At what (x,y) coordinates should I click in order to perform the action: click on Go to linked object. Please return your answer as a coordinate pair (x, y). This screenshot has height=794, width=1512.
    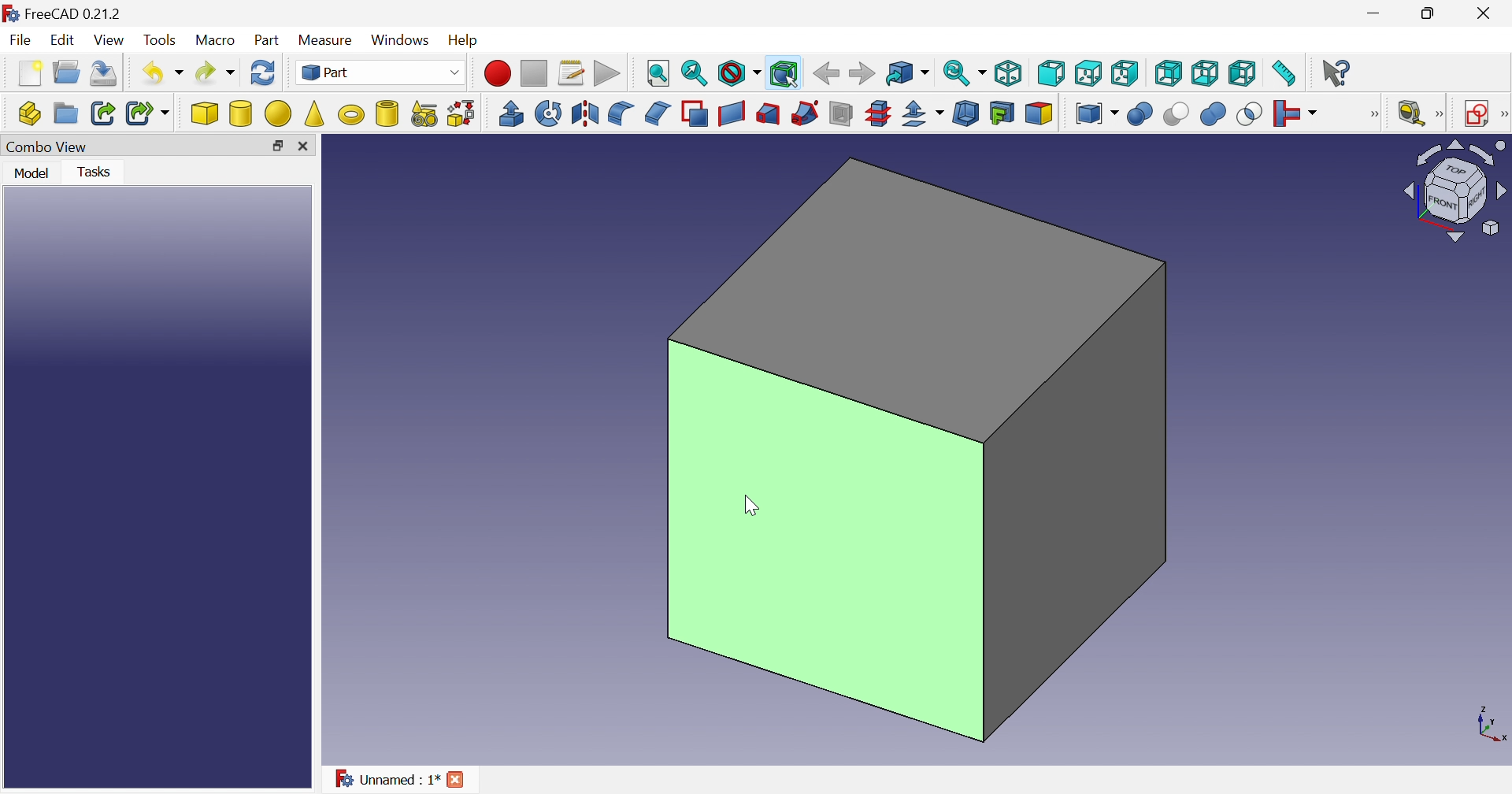
    Looking at the image, I should click on (907, 74).